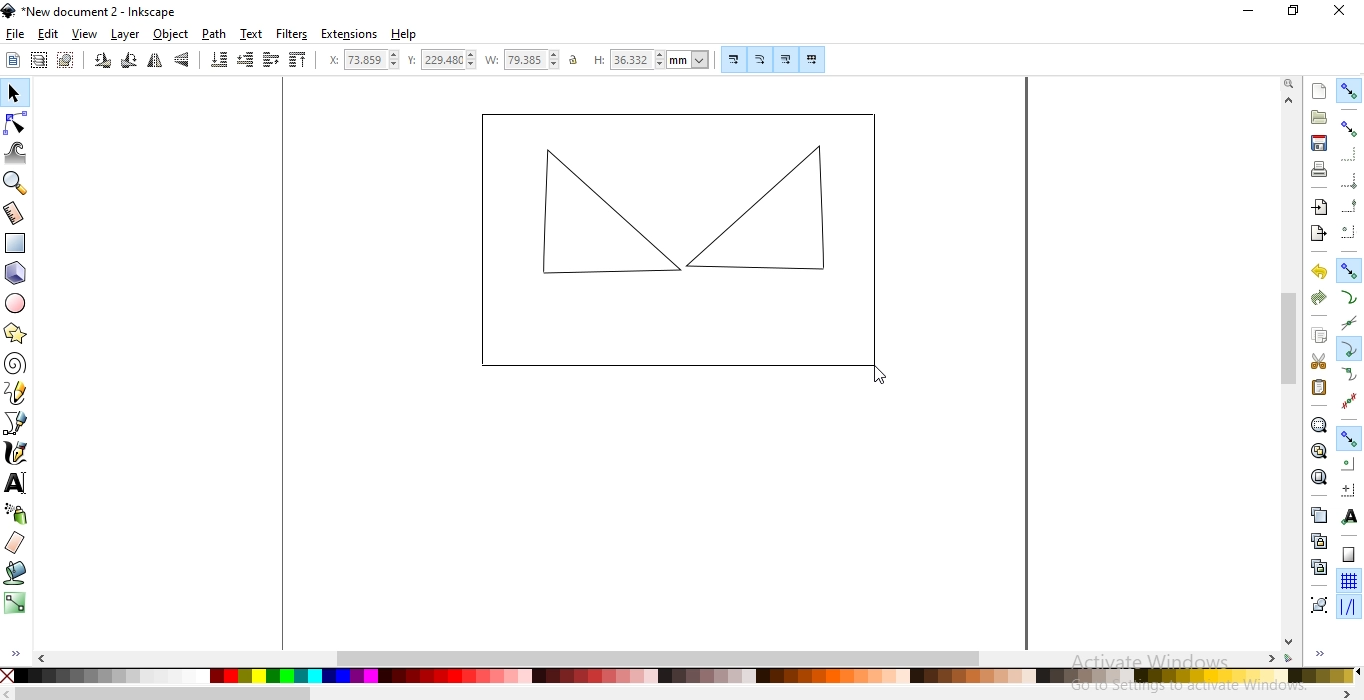 Image resolution: width=1364 pixels, height=700 pixels. I want to click on expand/hide sidebar, so click(1323, 654).